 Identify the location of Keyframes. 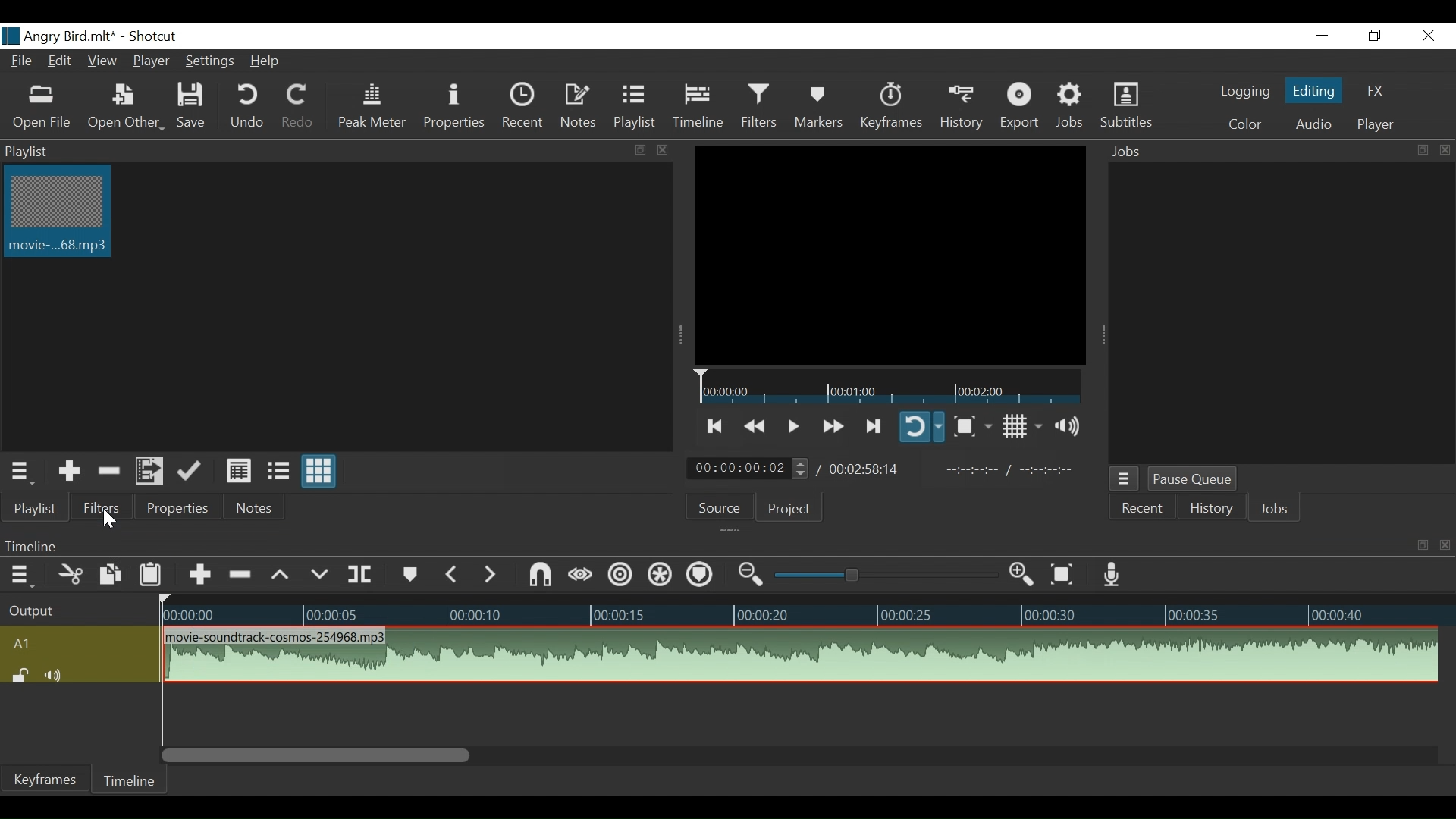
(890, 106).